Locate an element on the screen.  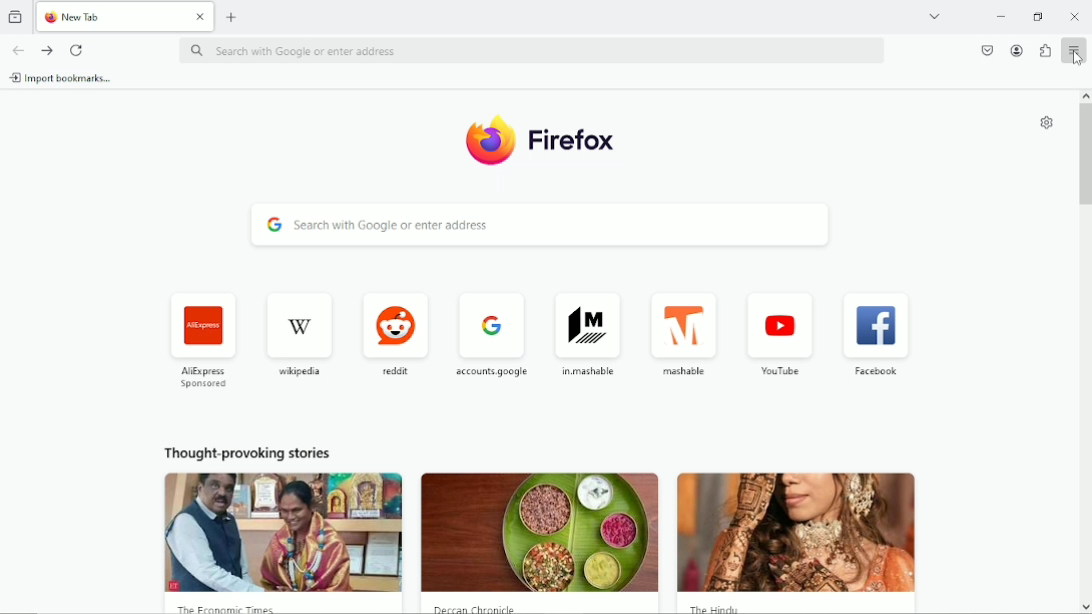
extensions is located at coordinates (1045, 50).